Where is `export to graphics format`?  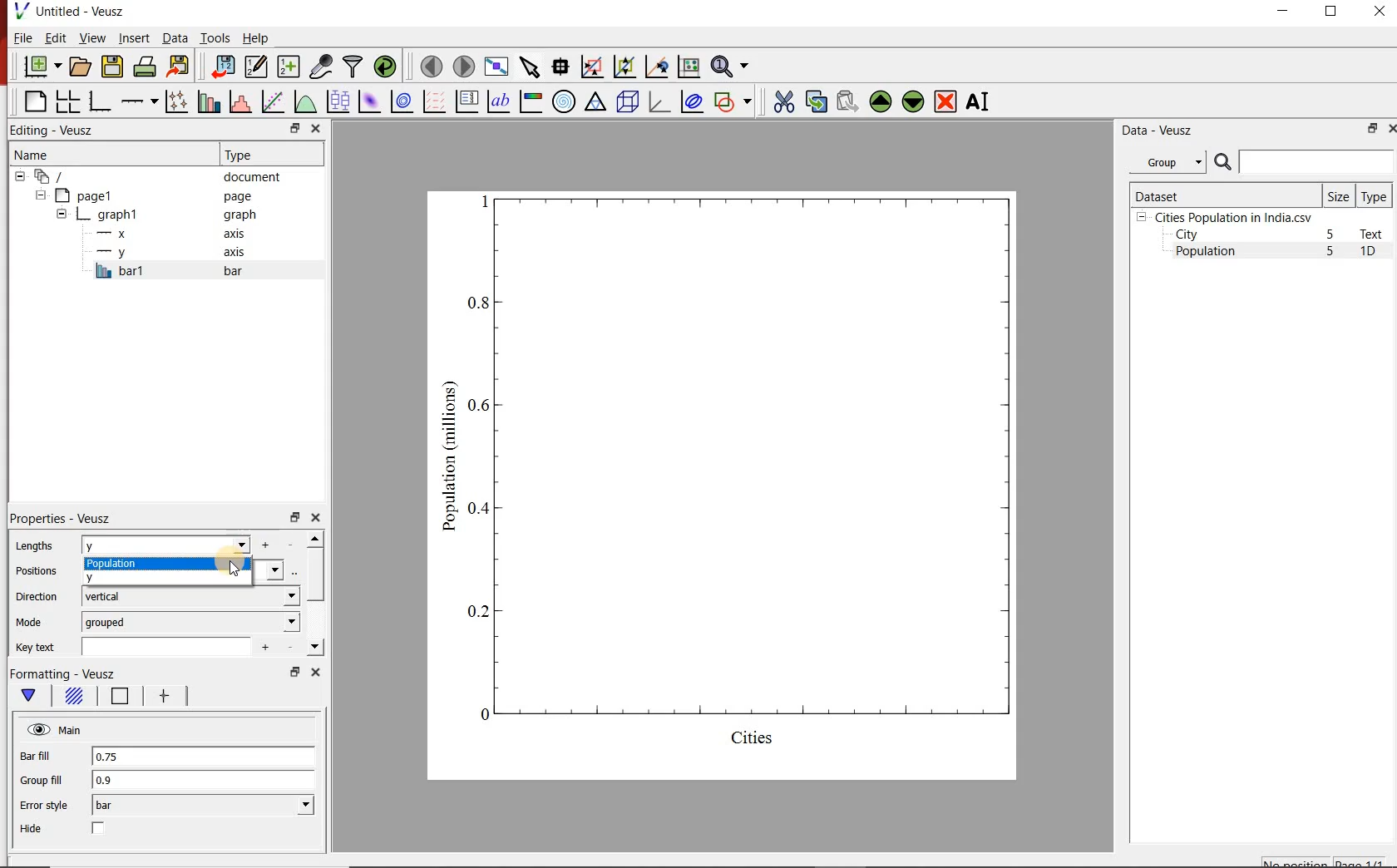
export to graphics format is located at coordinates (179, 67).